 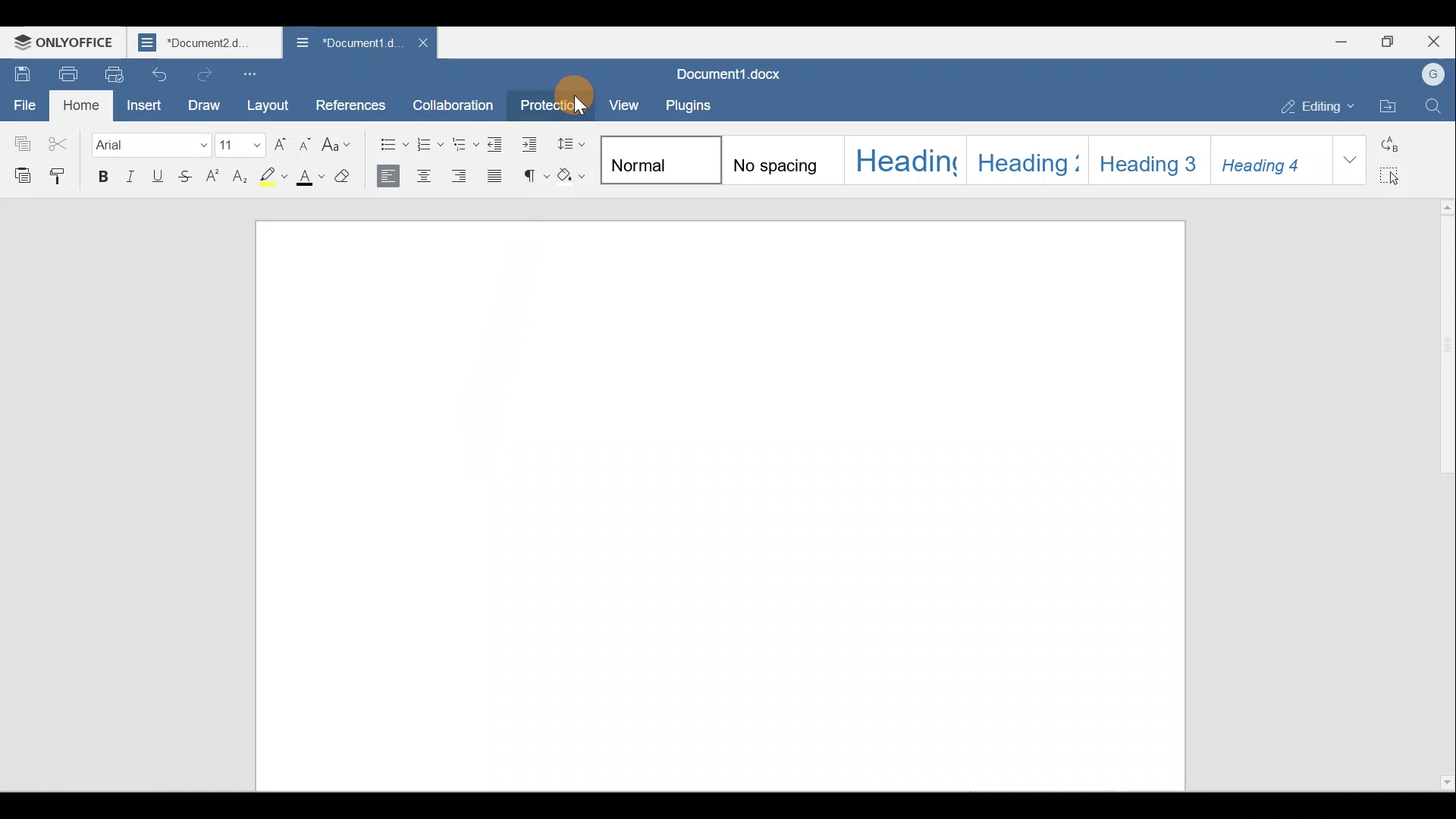 I want to click on Strikethrough, so click(x=188, y=175).